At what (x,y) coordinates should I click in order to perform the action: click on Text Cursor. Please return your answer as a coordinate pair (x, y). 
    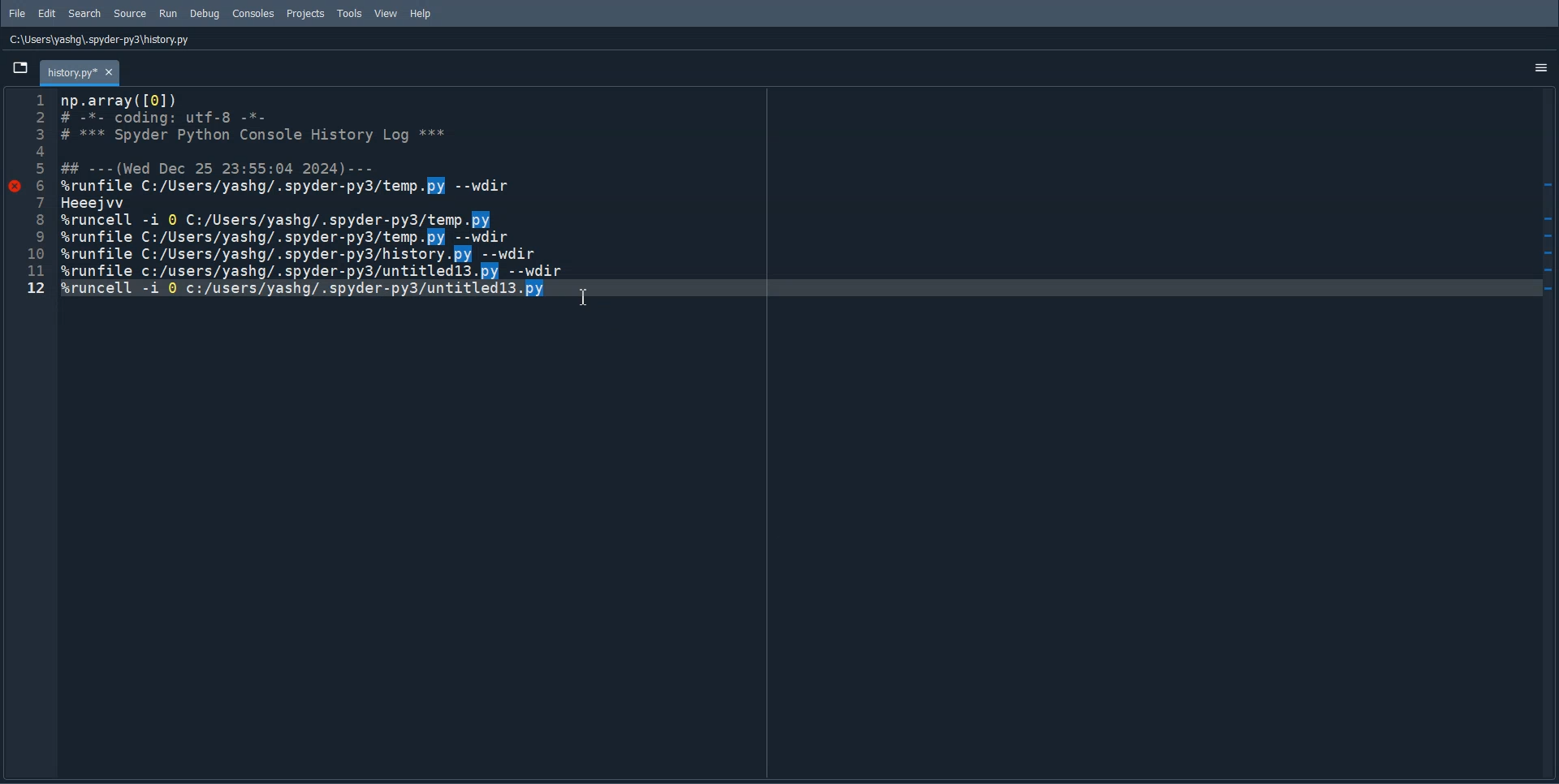
    Looking at the image, I should click on (589, 296).